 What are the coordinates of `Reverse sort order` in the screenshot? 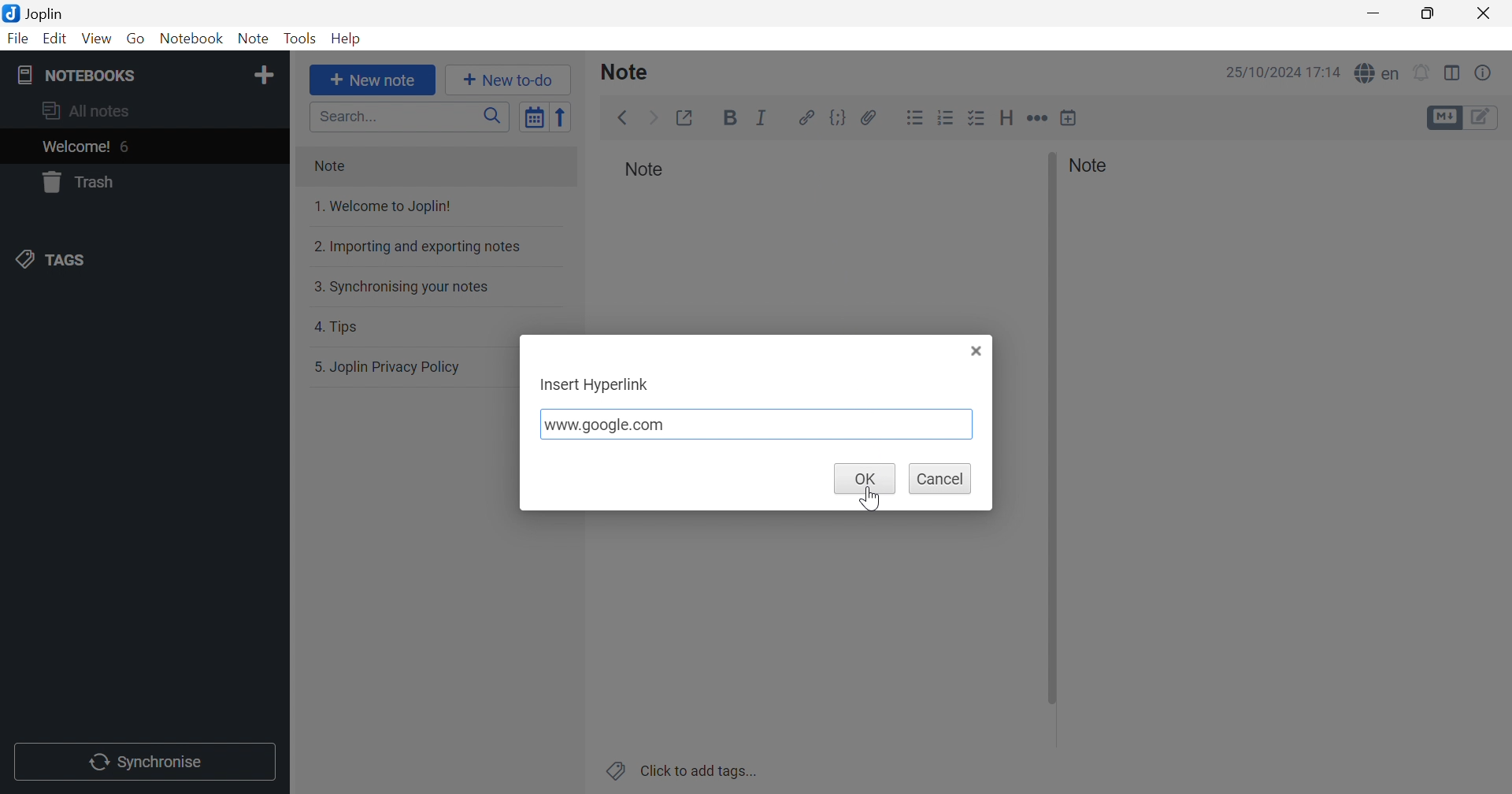 It's located at (565, 117).